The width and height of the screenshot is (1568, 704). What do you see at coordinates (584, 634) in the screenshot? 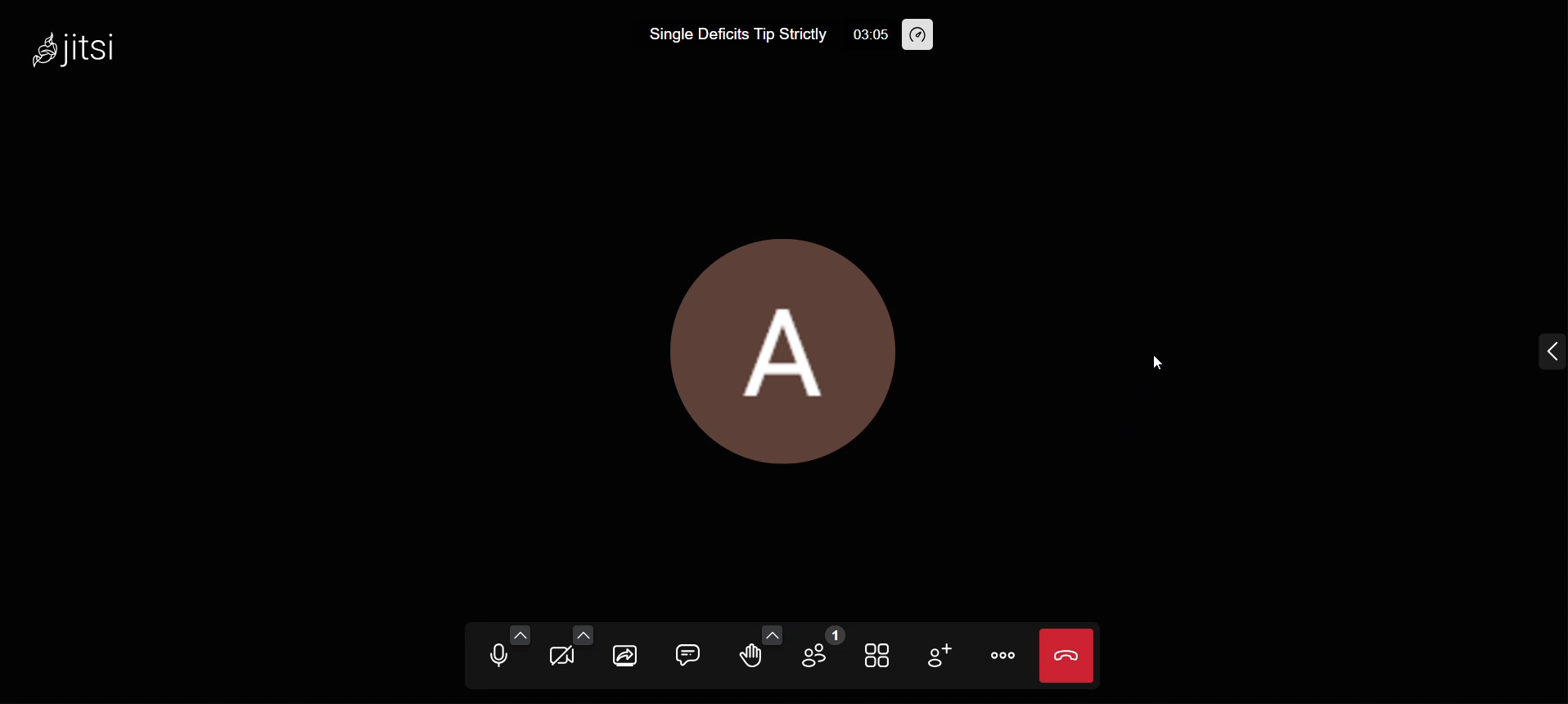
I see `video setting` at bounding box center [584, 634].